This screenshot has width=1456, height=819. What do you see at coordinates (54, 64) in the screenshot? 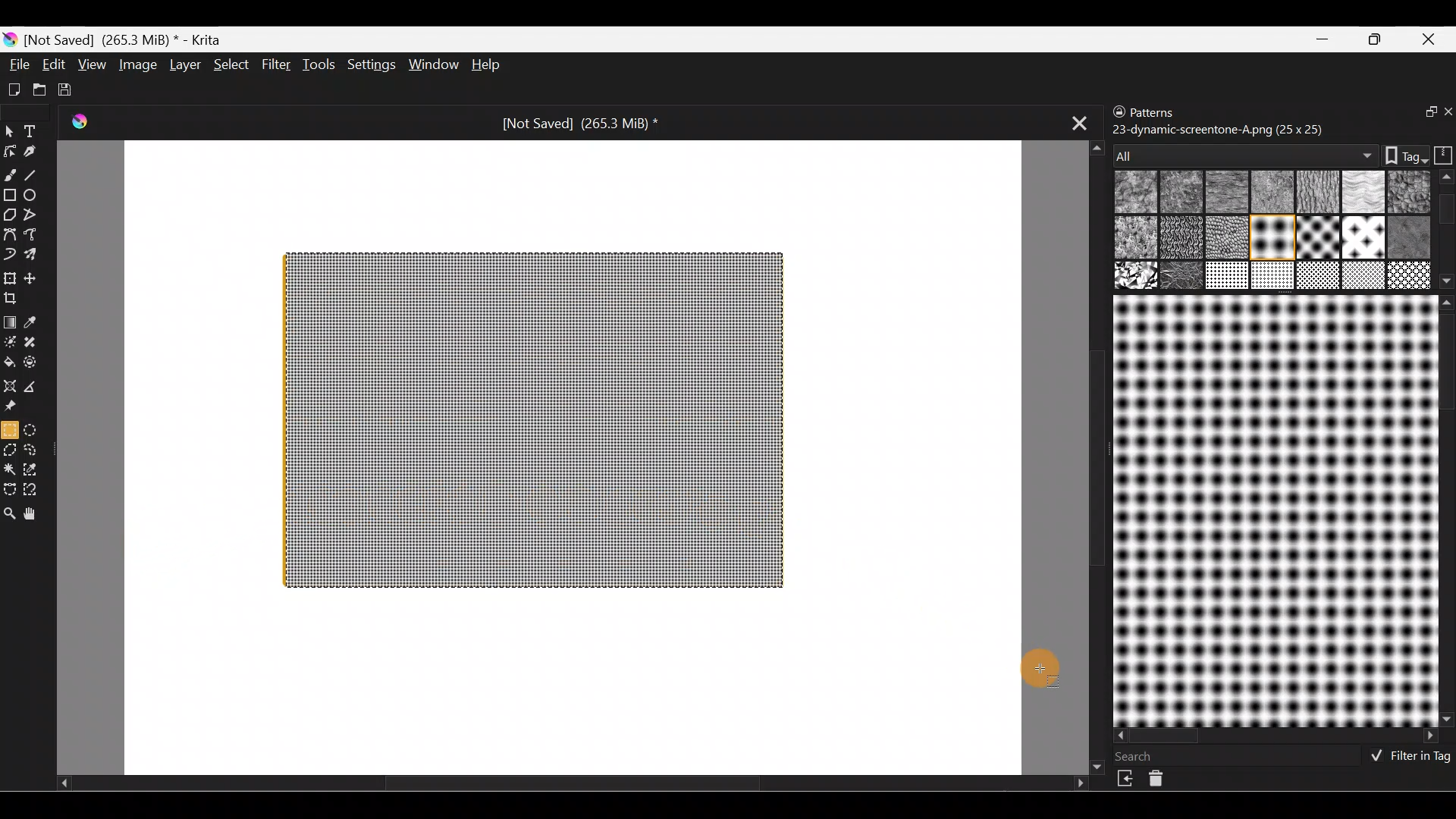
I see `Cursor on edit` at bounding box center [54, 64].